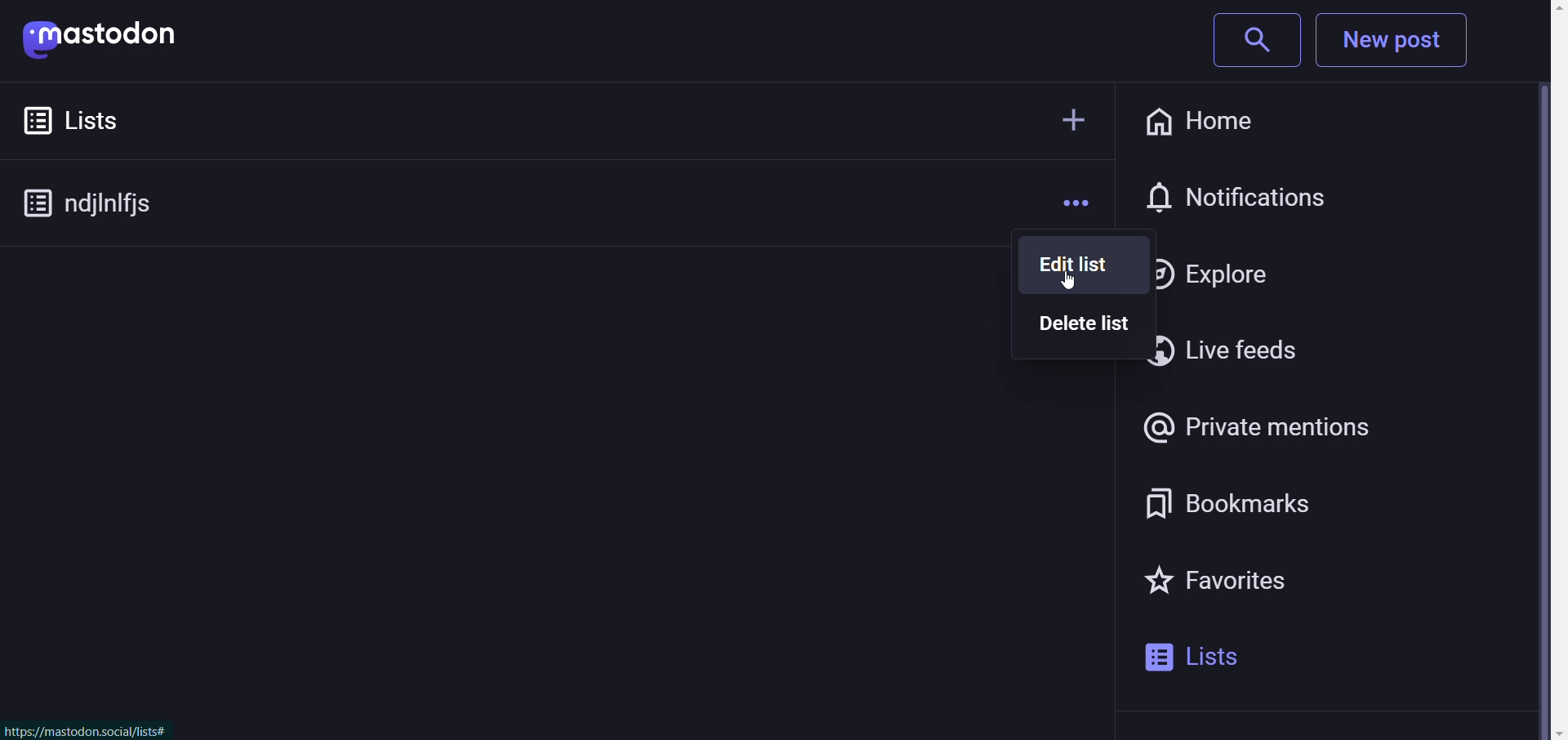 Image resolution: width=1568 pixels, height=740 pixels. I want to click on more options, so click(1069, 201).